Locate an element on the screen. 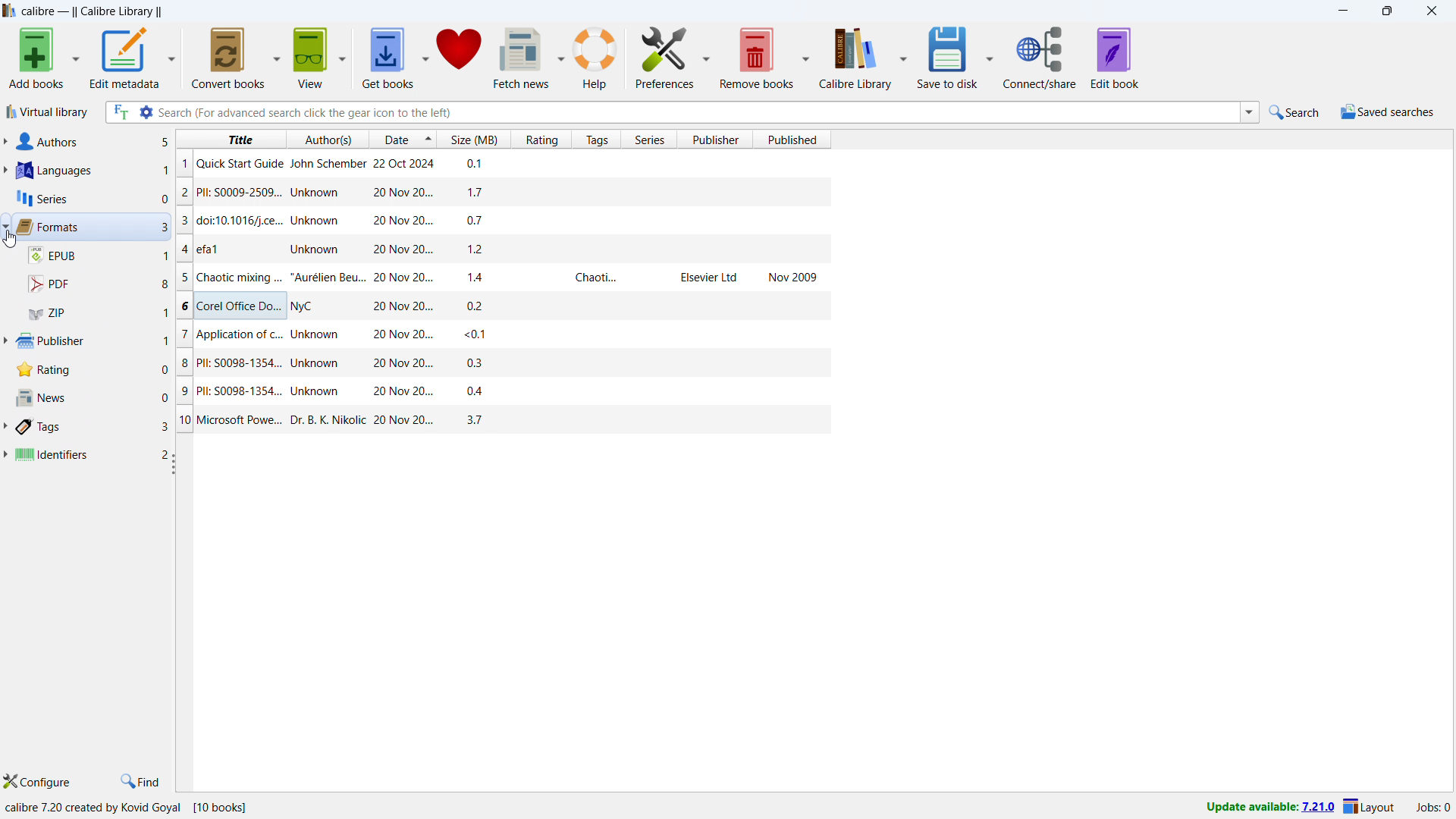 The width and height of the screenshot is (1456, 819). remove books is located at coordinates (757, 58).